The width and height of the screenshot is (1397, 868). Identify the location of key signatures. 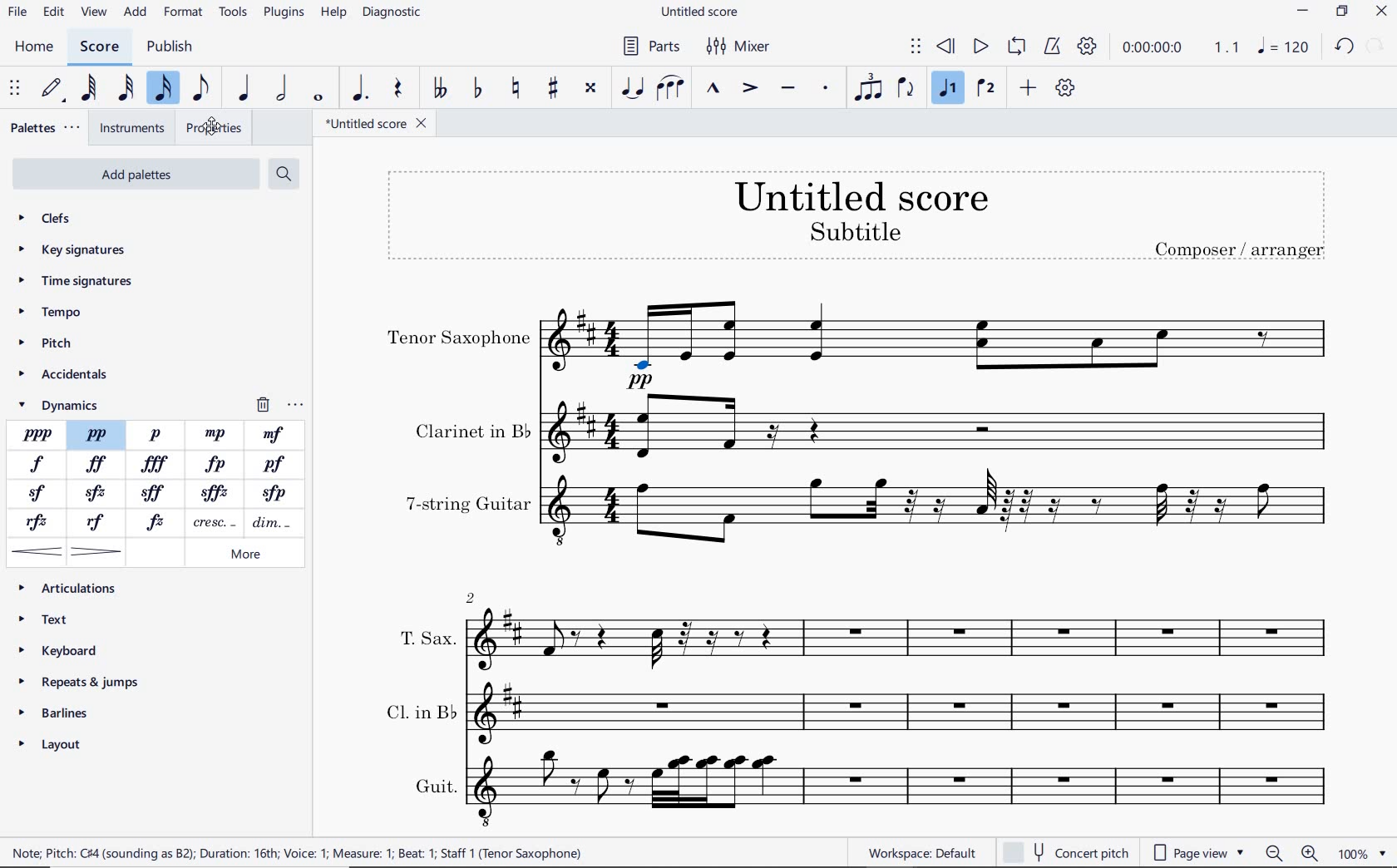
(72, 252).